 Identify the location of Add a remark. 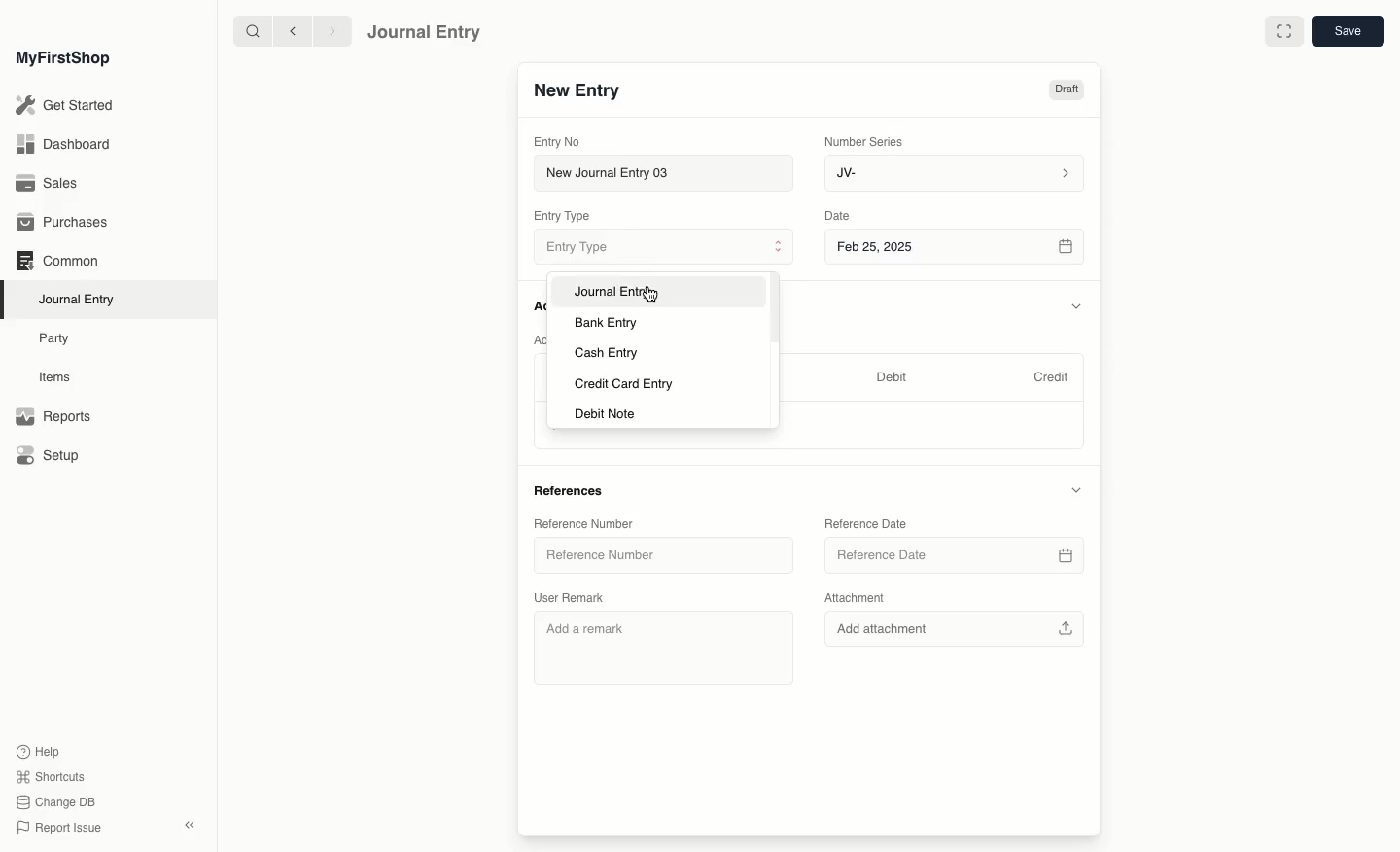
(661, 648).